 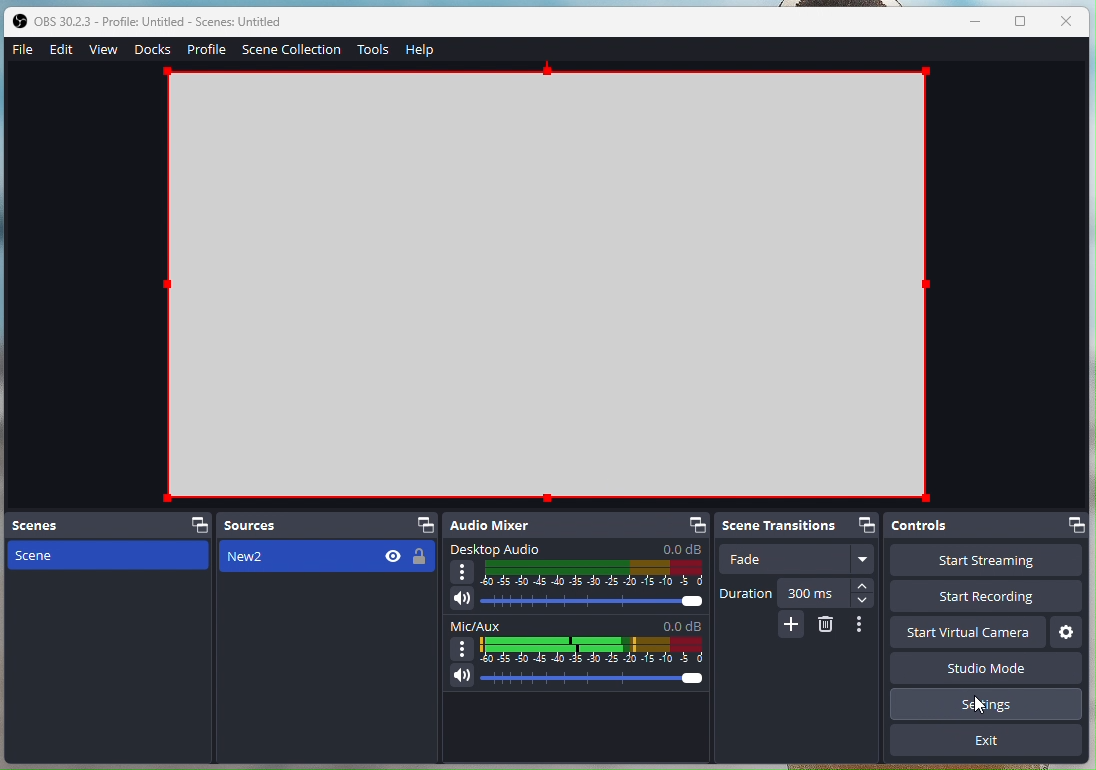 I want to click on dock options, so click(x=695, y=524).